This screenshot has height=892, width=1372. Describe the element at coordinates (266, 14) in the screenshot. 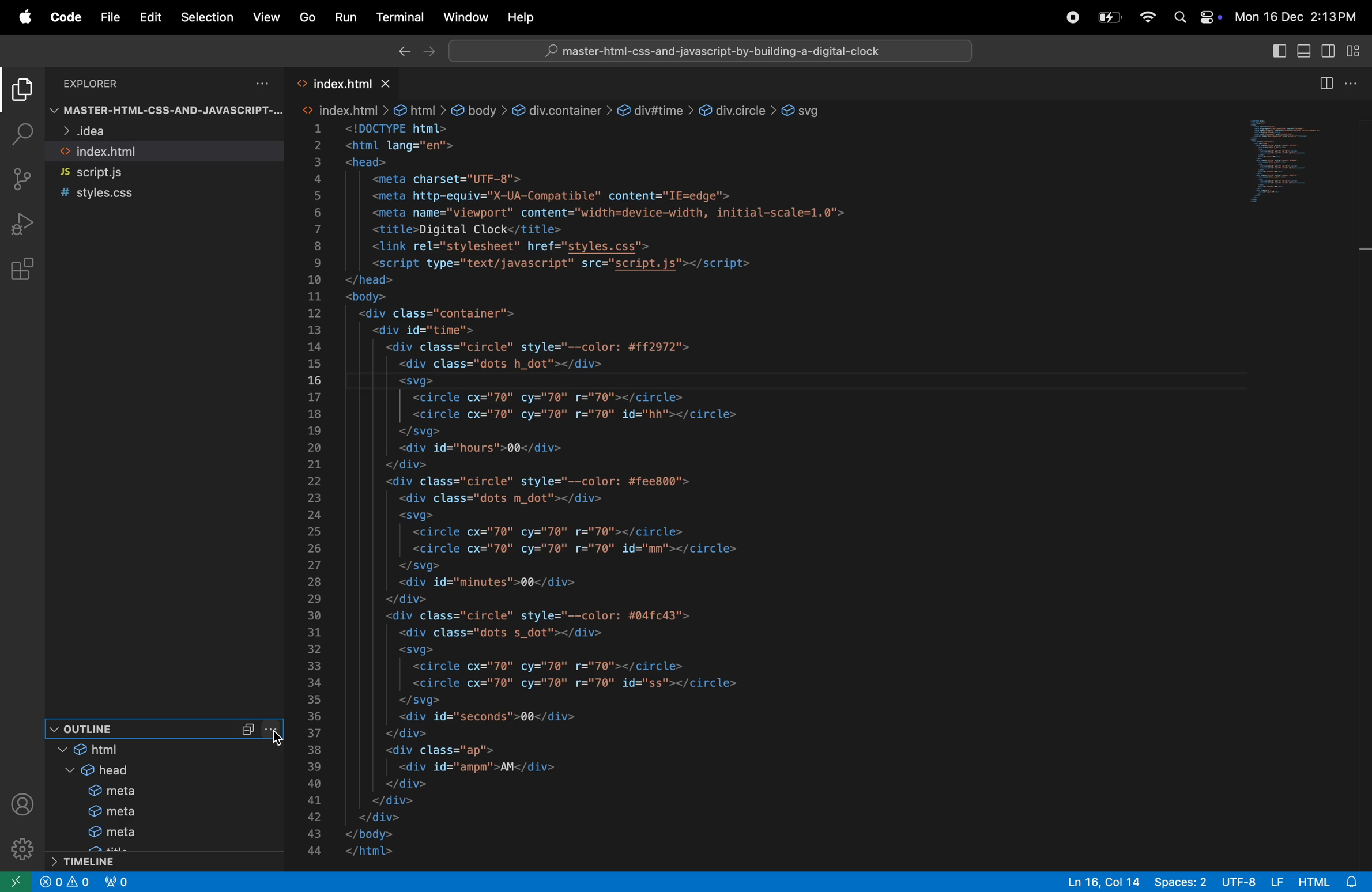

I see `view` at that location.